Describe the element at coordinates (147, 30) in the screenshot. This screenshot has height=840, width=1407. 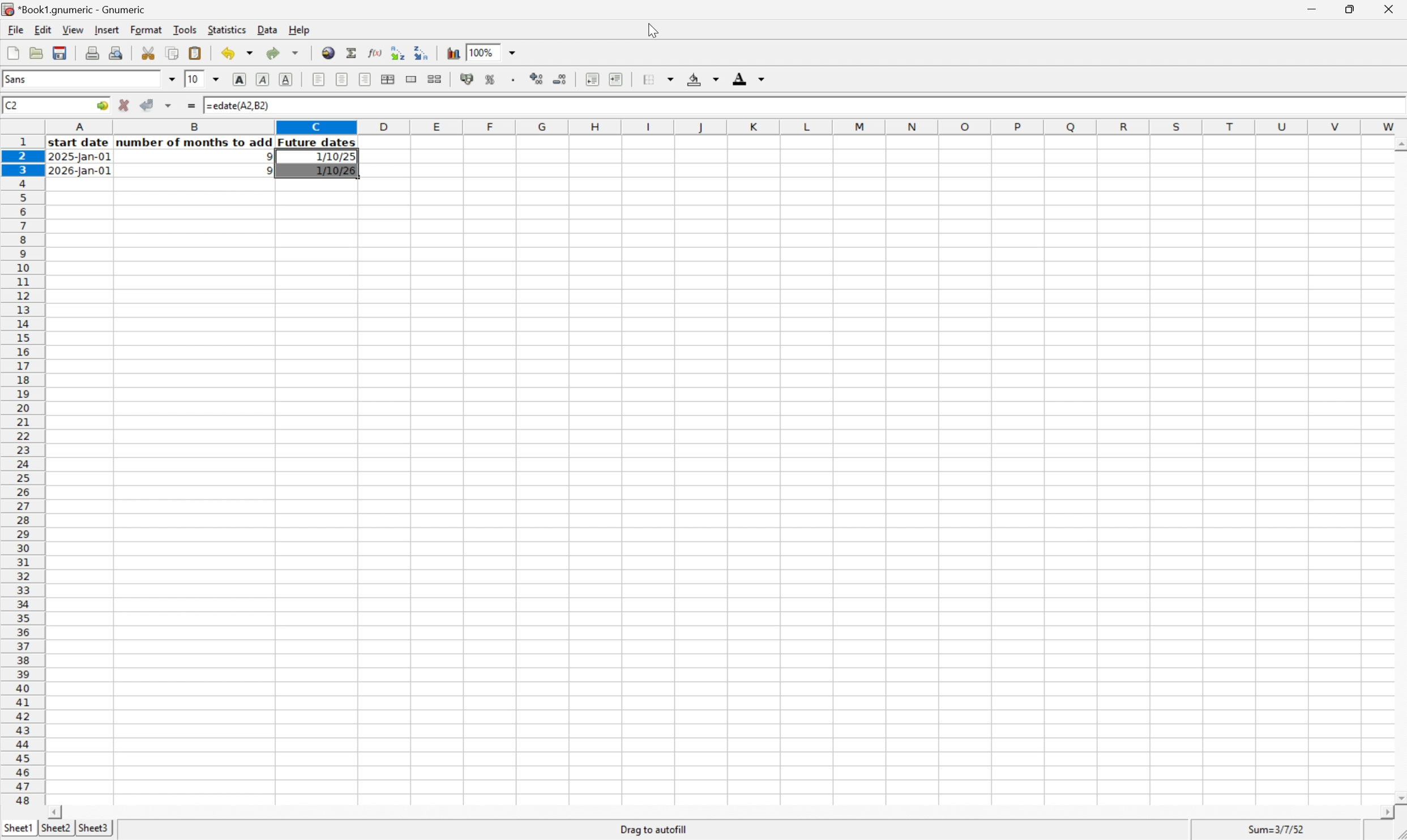
I see `Format` at that location.